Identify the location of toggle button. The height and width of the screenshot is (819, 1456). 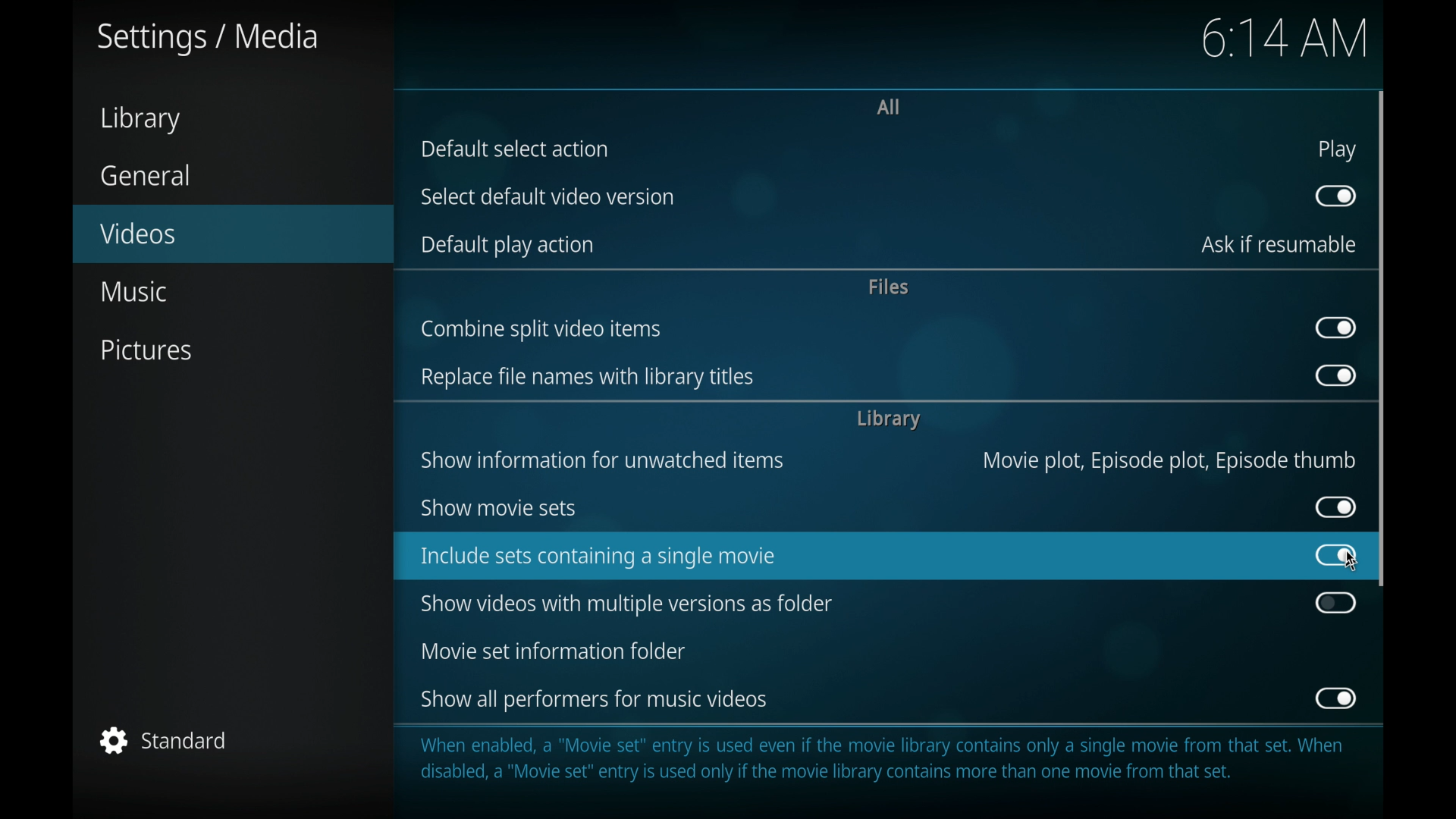
(1335, 698).